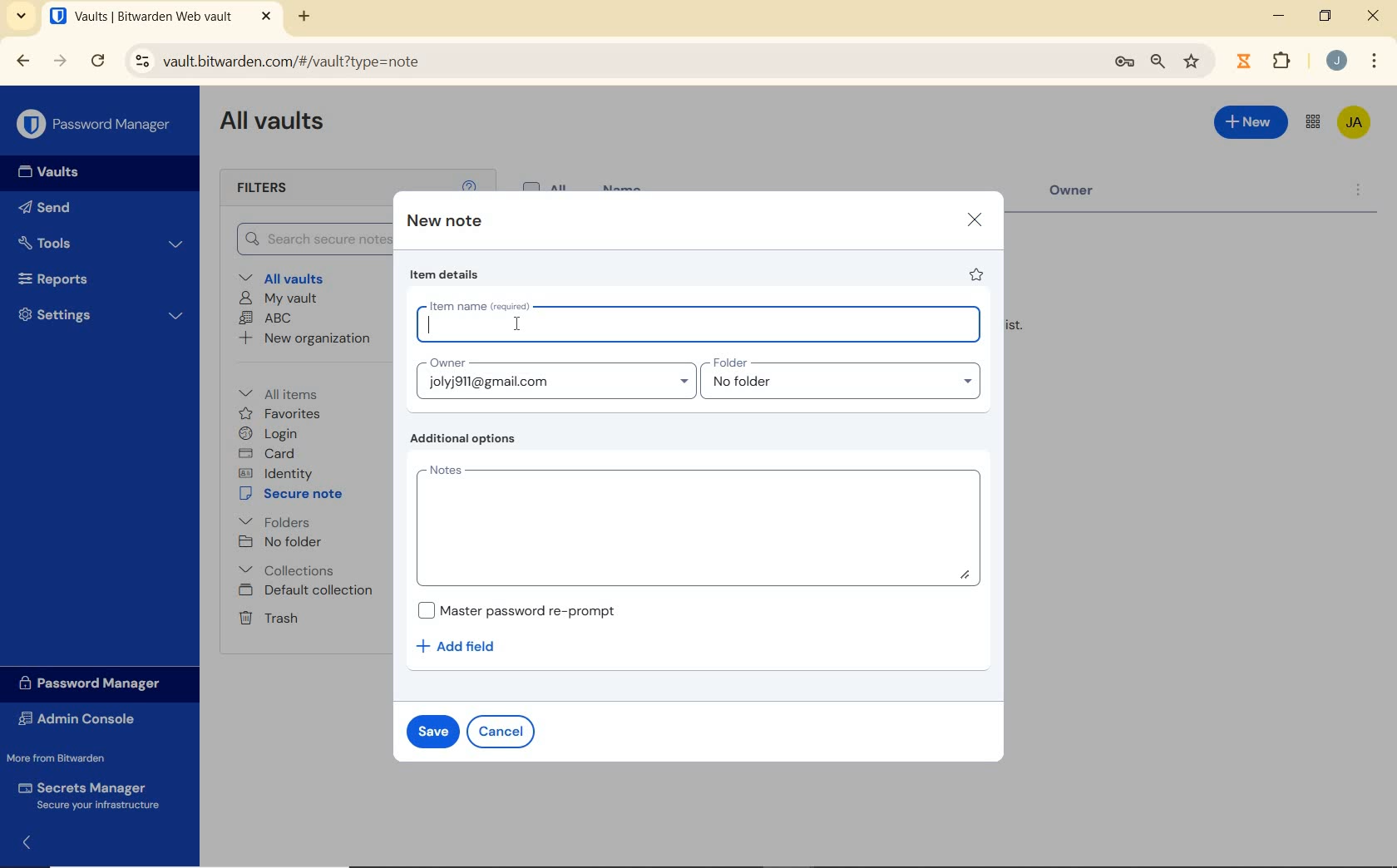  I want to click on minimize, so click(1279, 15).